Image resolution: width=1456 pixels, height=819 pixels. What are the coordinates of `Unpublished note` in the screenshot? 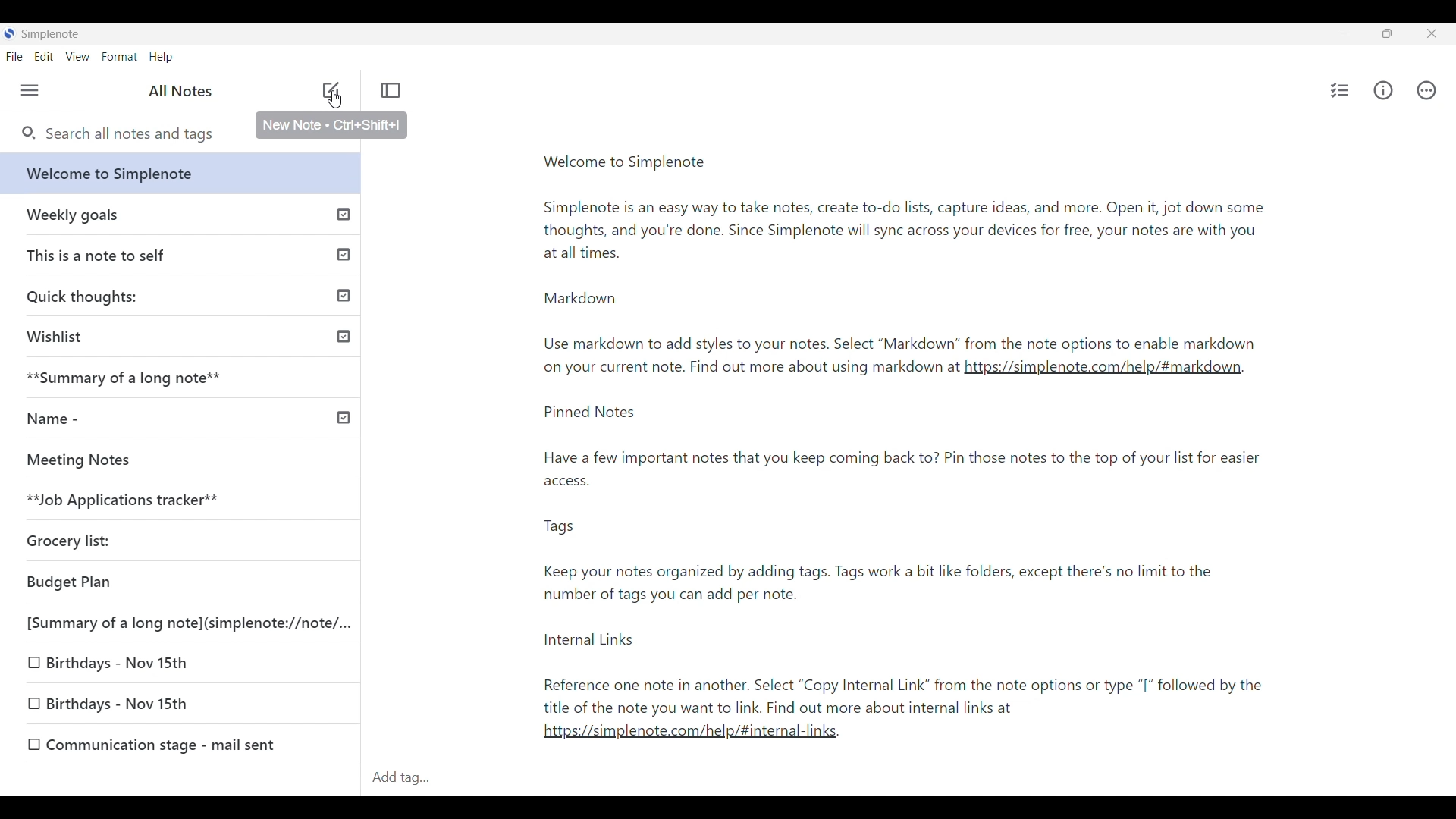 It's located at (70, 541).